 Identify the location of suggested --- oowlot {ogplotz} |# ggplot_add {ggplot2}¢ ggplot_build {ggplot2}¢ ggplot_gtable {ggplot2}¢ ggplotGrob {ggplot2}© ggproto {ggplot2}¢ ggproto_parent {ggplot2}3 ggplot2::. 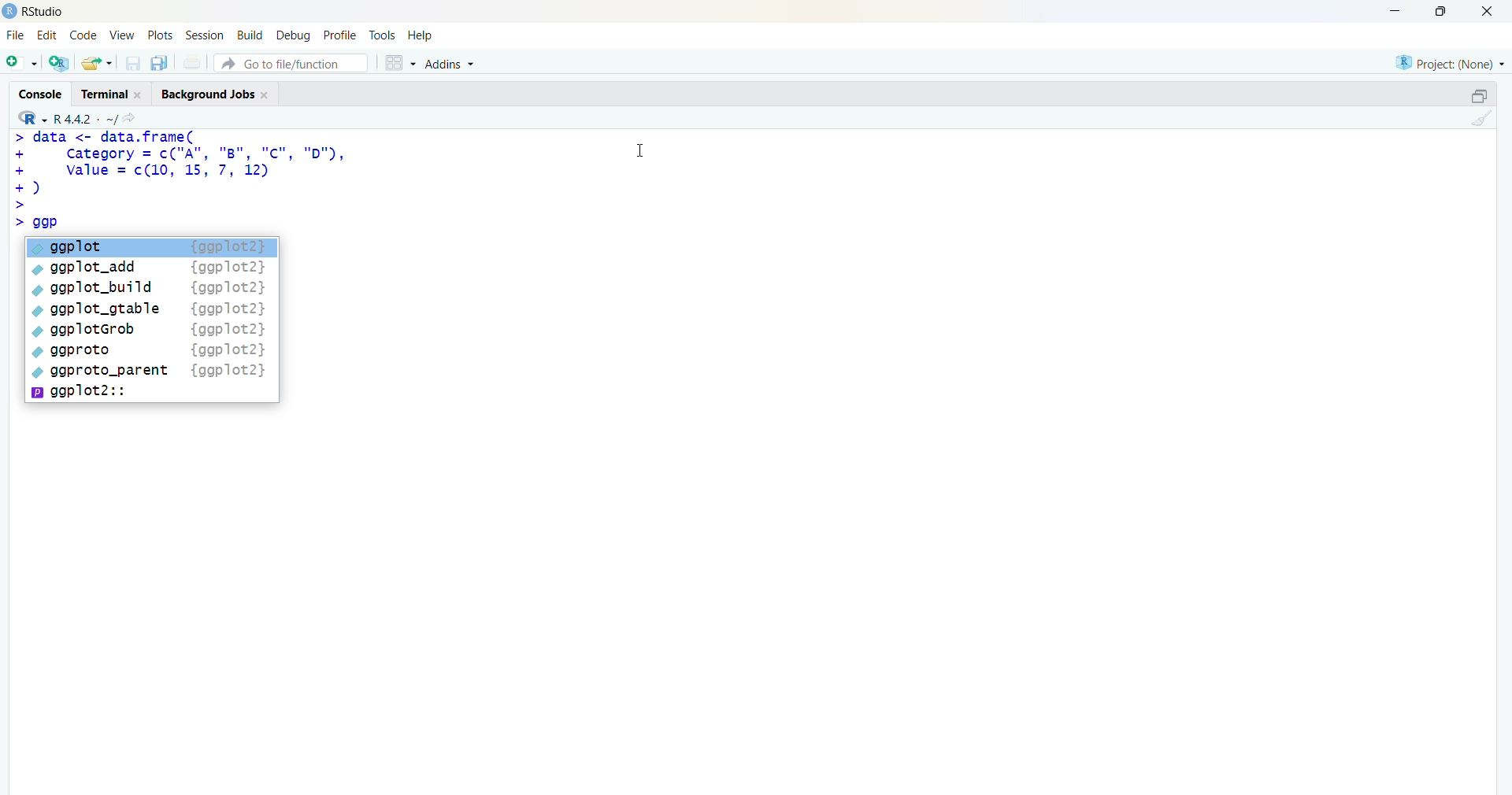
(153, 320).